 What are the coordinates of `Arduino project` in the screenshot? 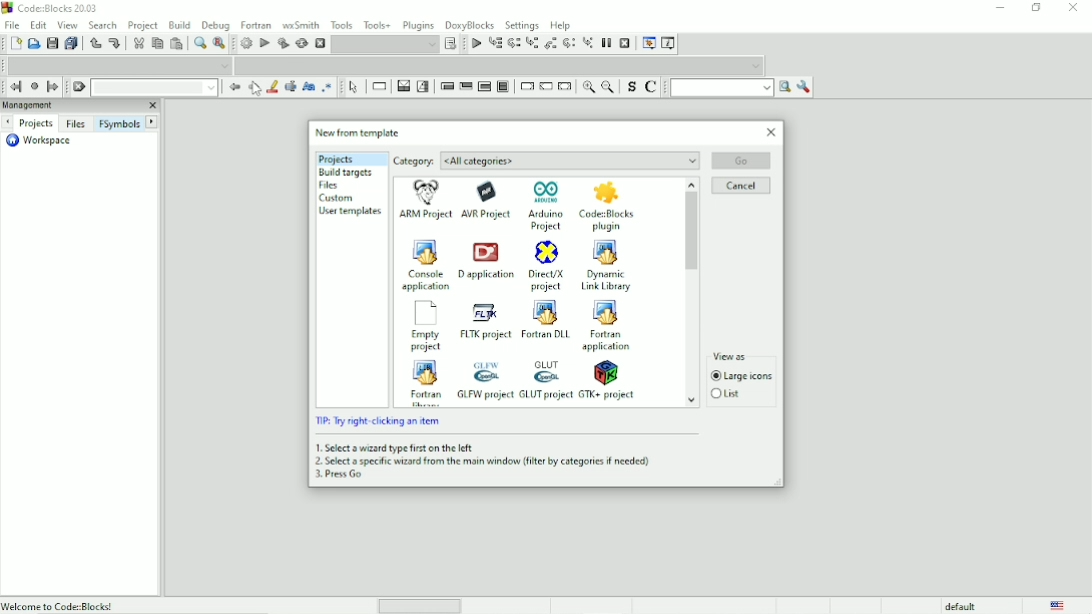 It's located at (547, 205).